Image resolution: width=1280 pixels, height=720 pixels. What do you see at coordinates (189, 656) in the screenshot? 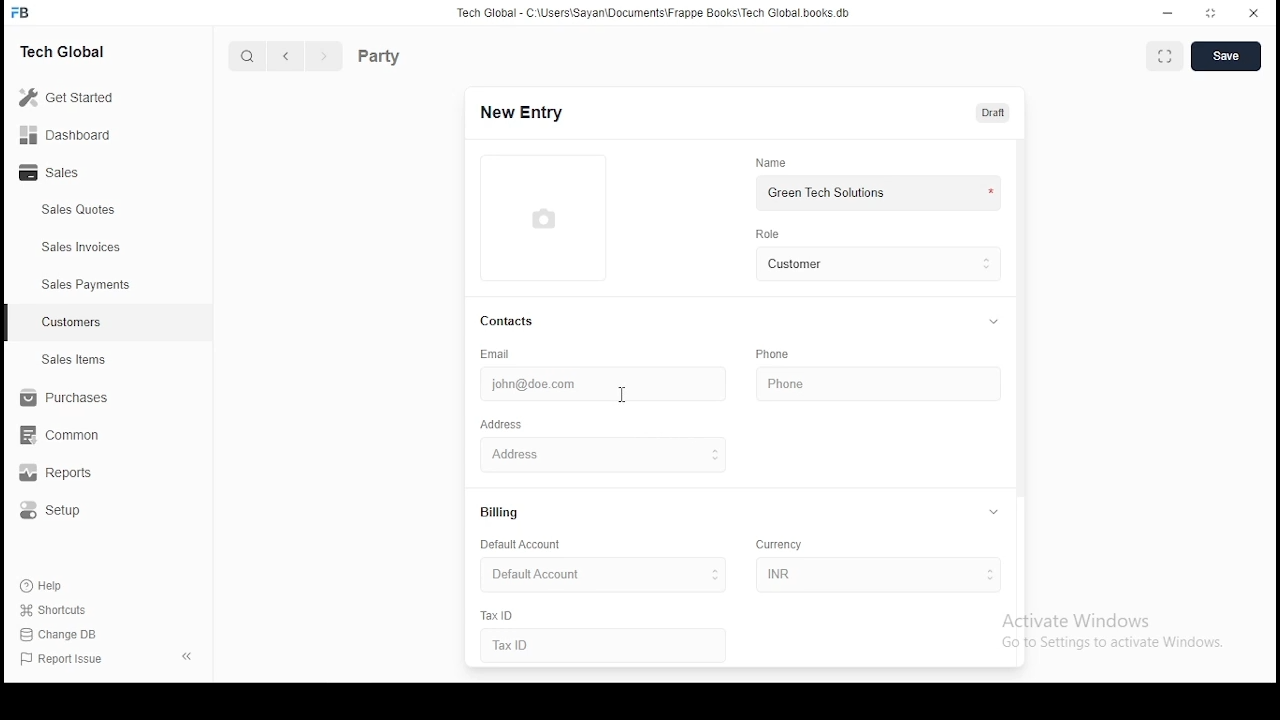
I see `close pane` at bounding box center [189, 656].